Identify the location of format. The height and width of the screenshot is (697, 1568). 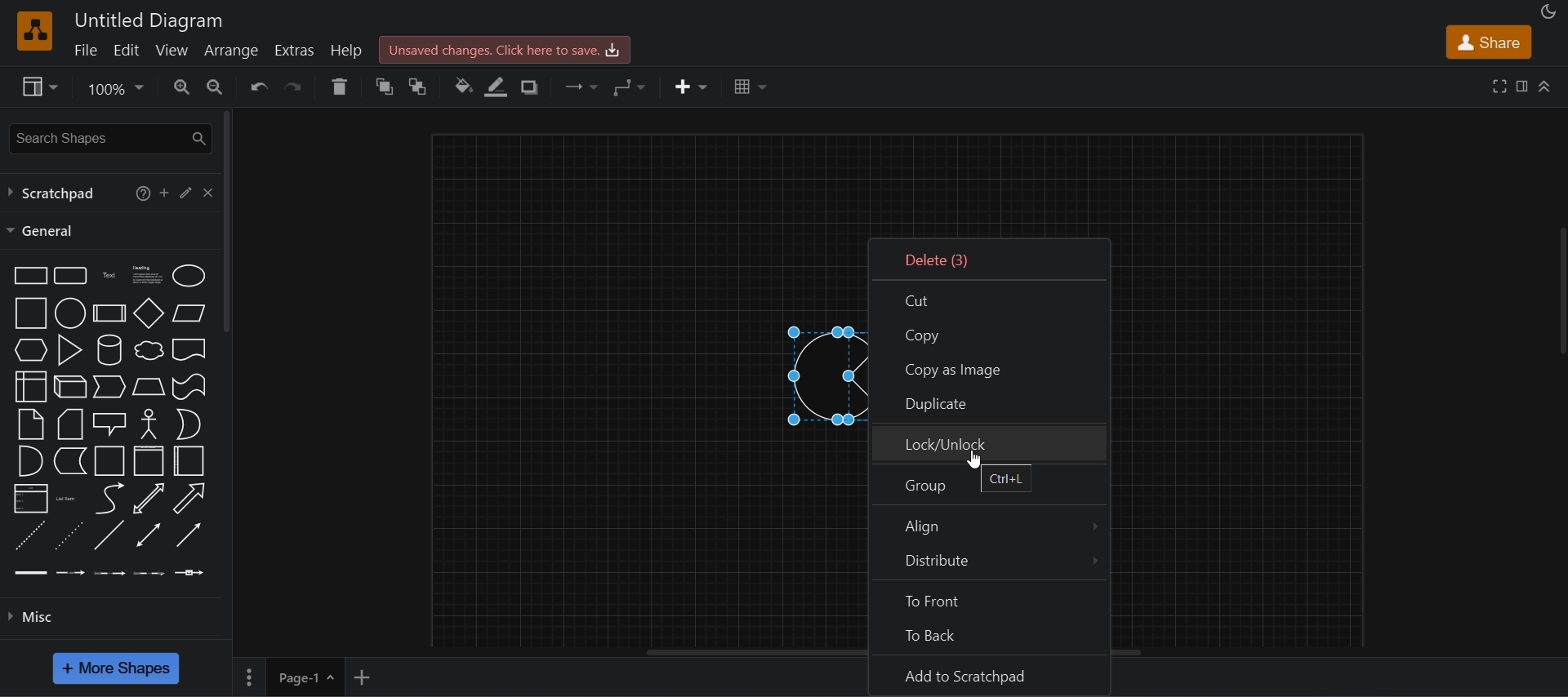
(1525, 89).